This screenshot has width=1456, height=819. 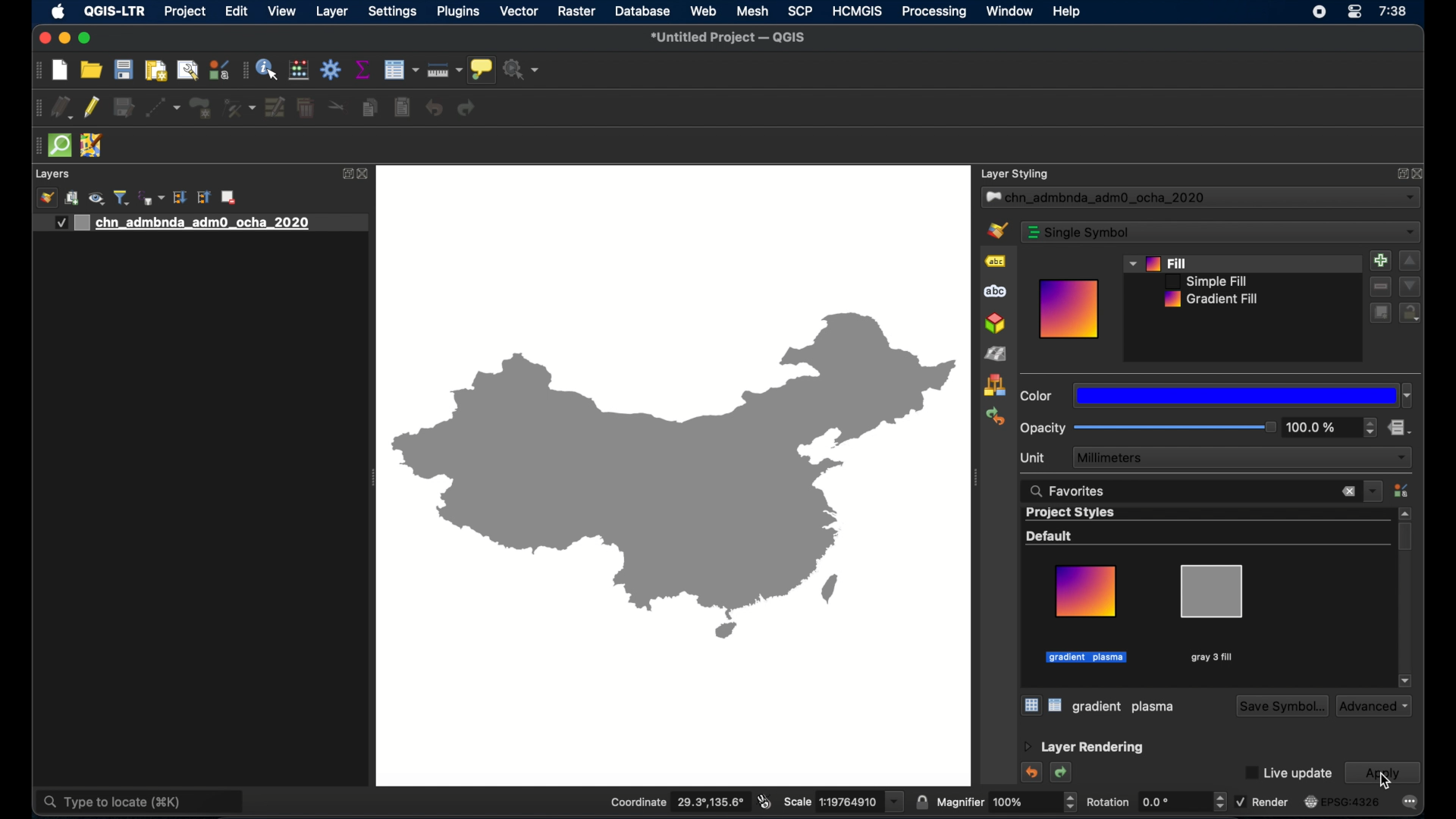 I want to click on toggle mouse extents and display position, so click(x=765, y=801).